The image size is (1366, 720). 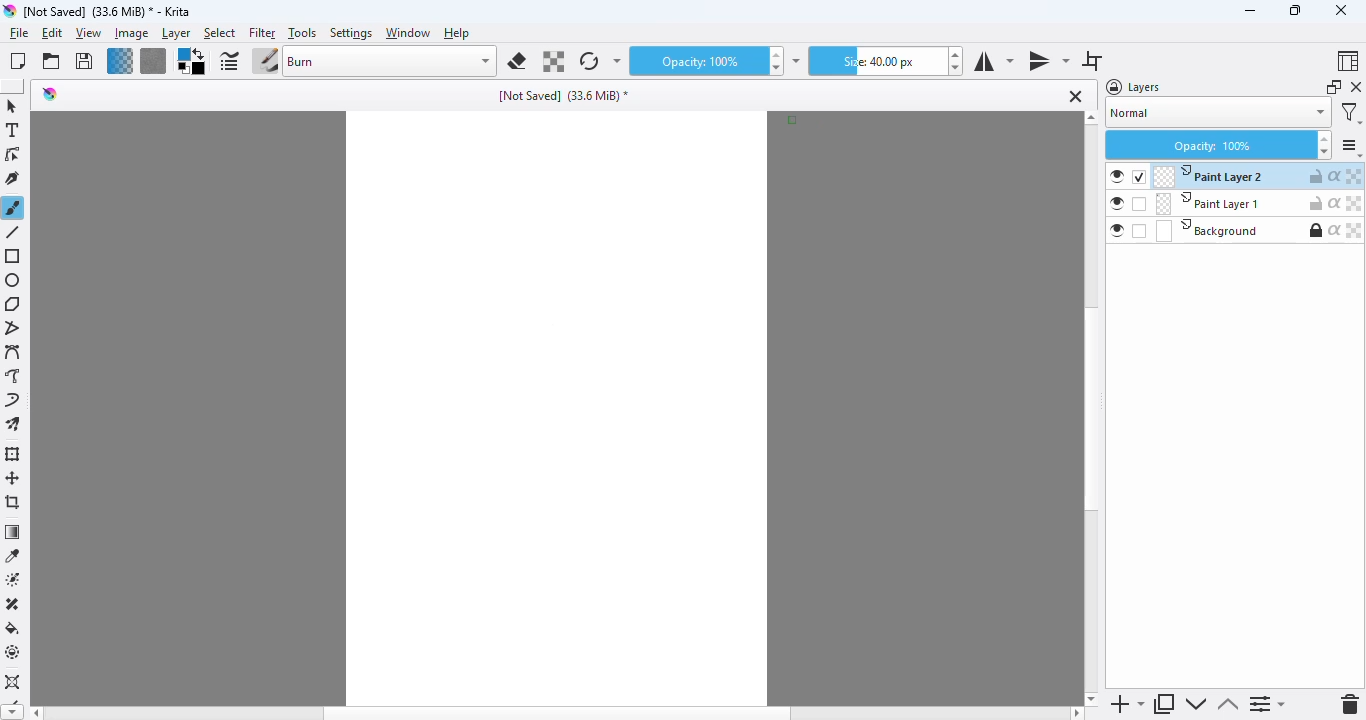 What do you see at coordinates (1209, 176) in the screenshot?
I see `paint layer 2` at bounding box center [1209, 176].